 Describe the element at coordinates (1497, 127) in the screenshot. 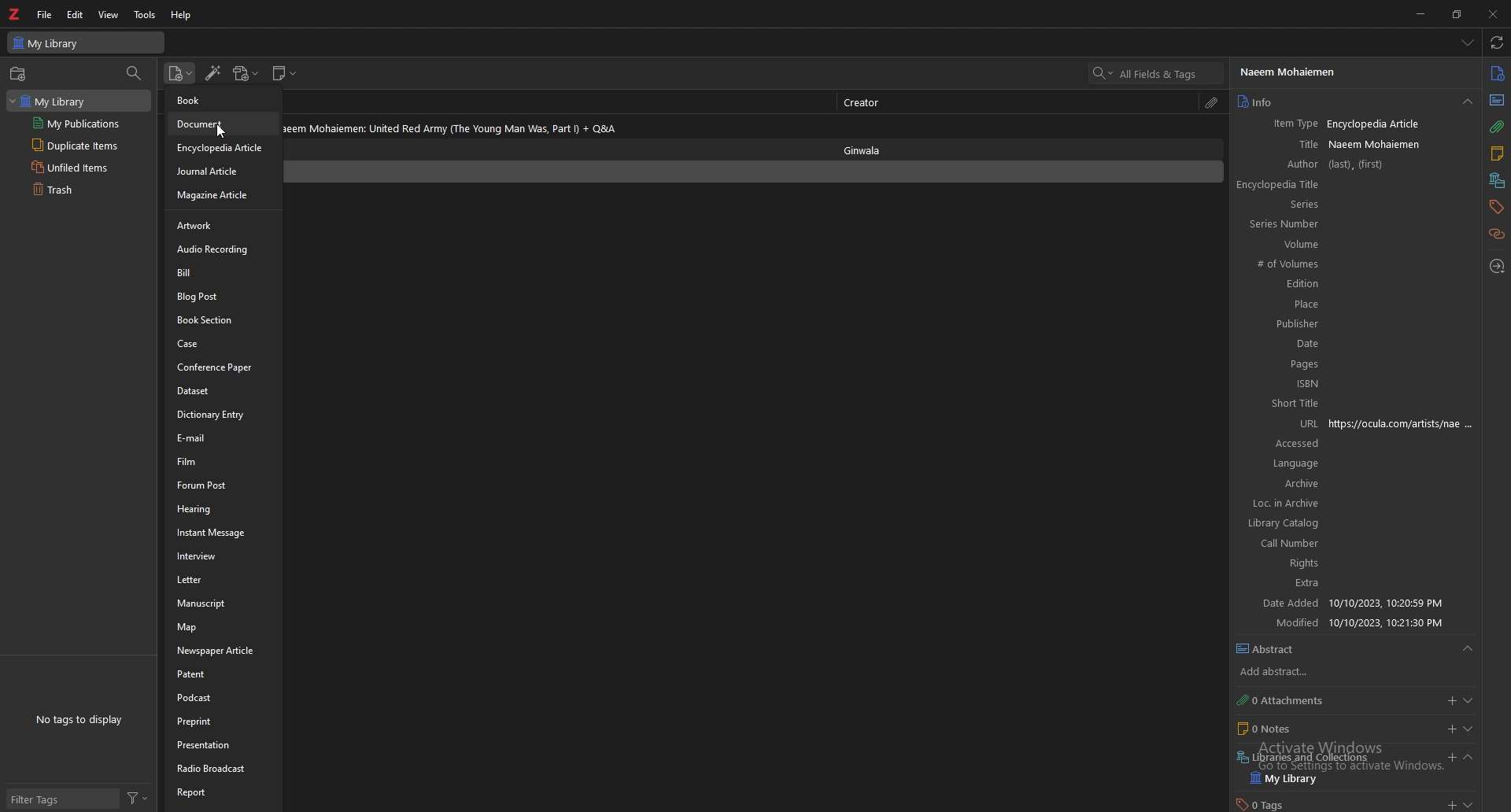

I see `attachments` at that location.